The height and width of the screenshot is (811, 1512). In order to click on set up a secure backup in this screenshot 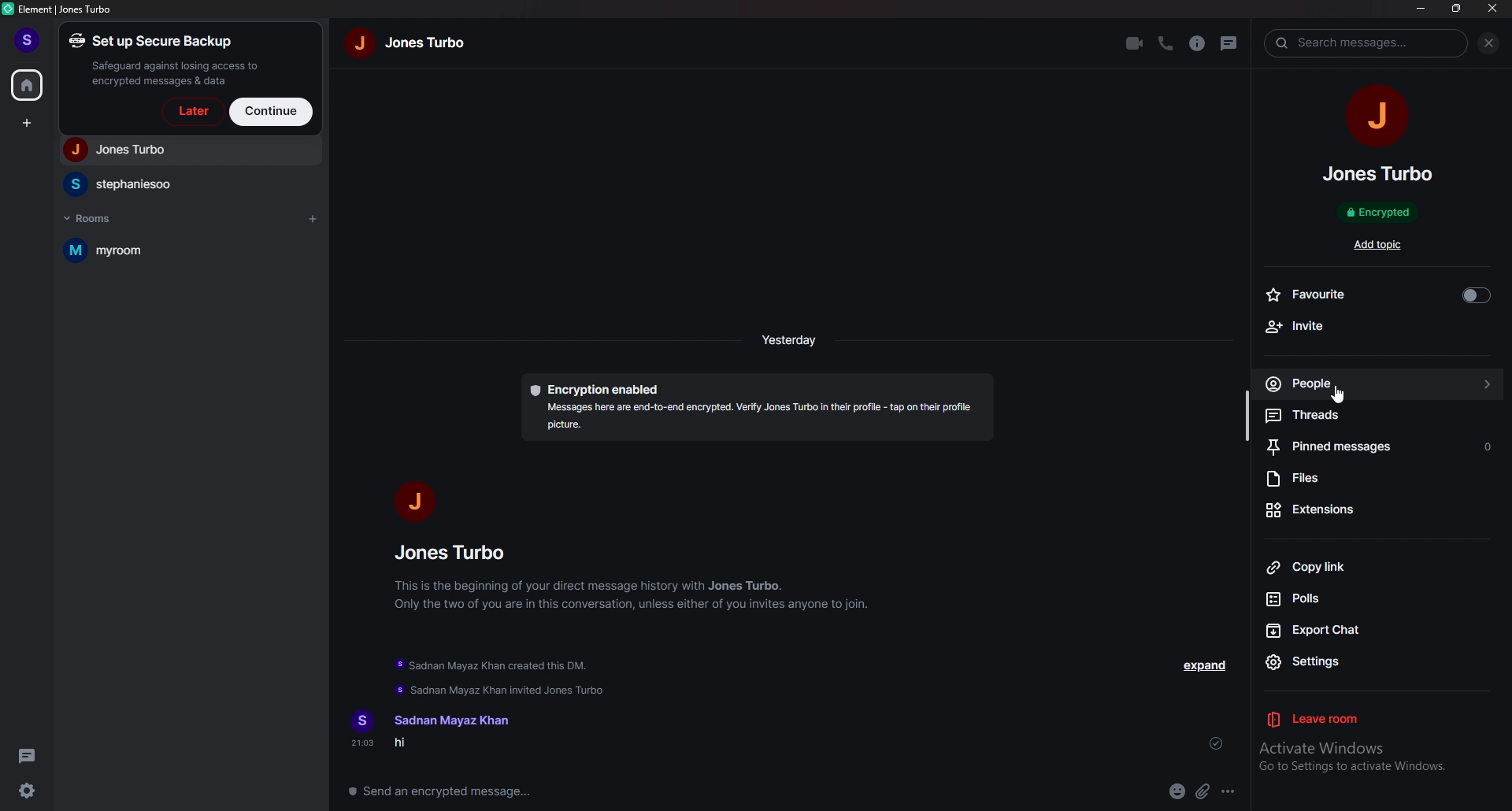, I will do `click(169, 59)`.